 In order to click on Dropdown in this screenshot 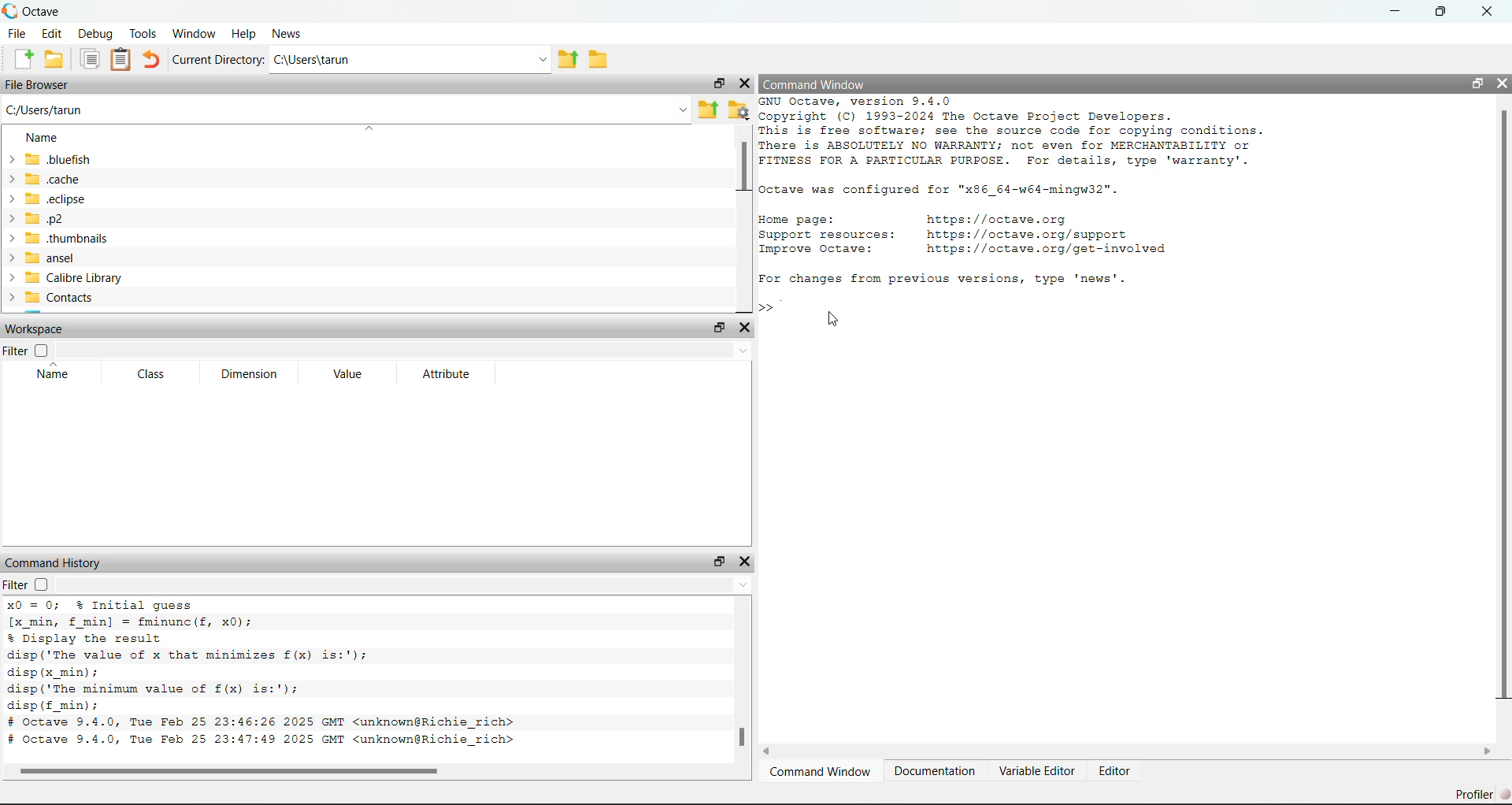, I will do `click(742, 350)`.